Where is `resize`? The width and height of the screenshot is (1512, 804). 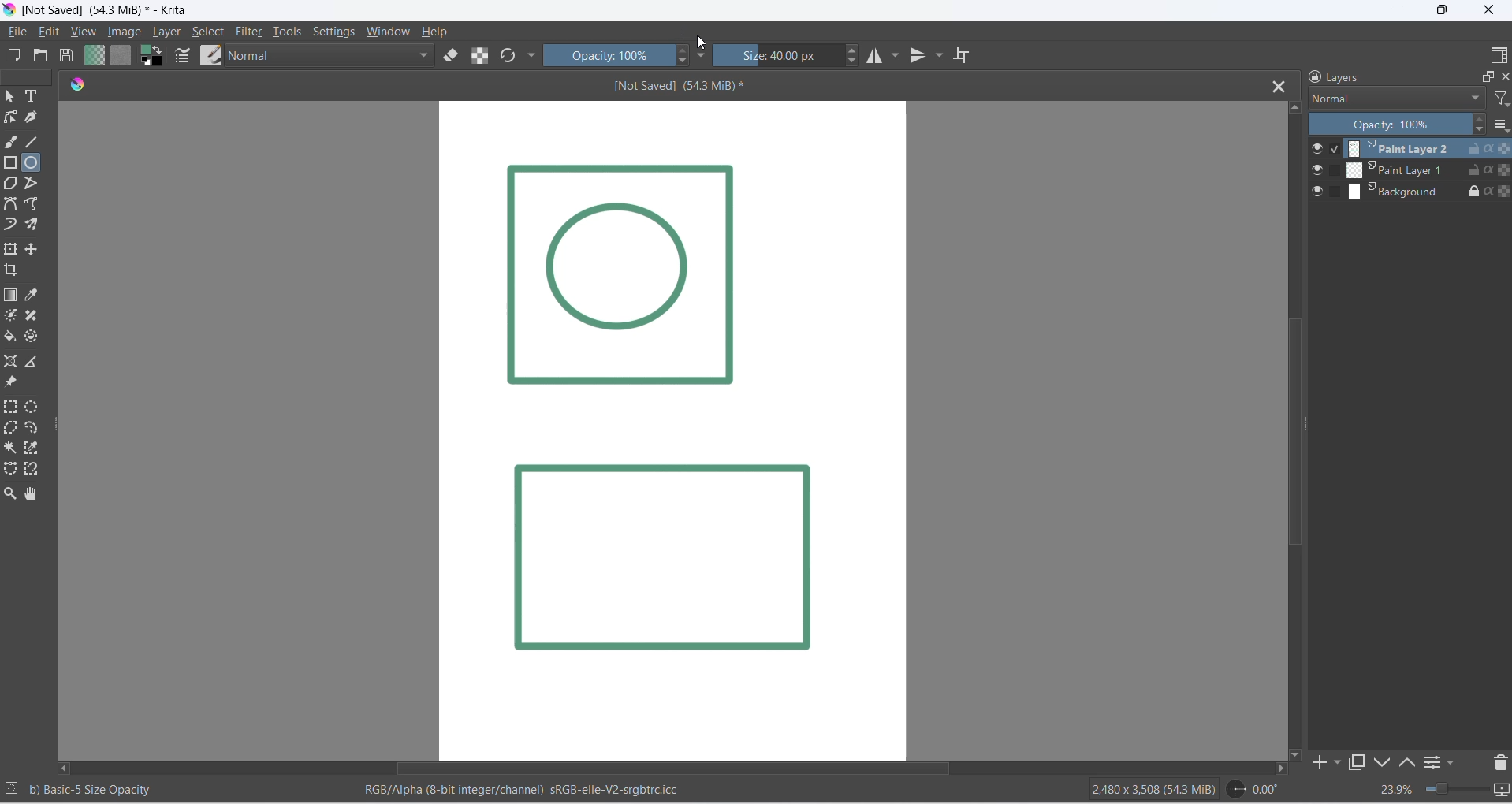
resize is located at coordinates (58, 434).